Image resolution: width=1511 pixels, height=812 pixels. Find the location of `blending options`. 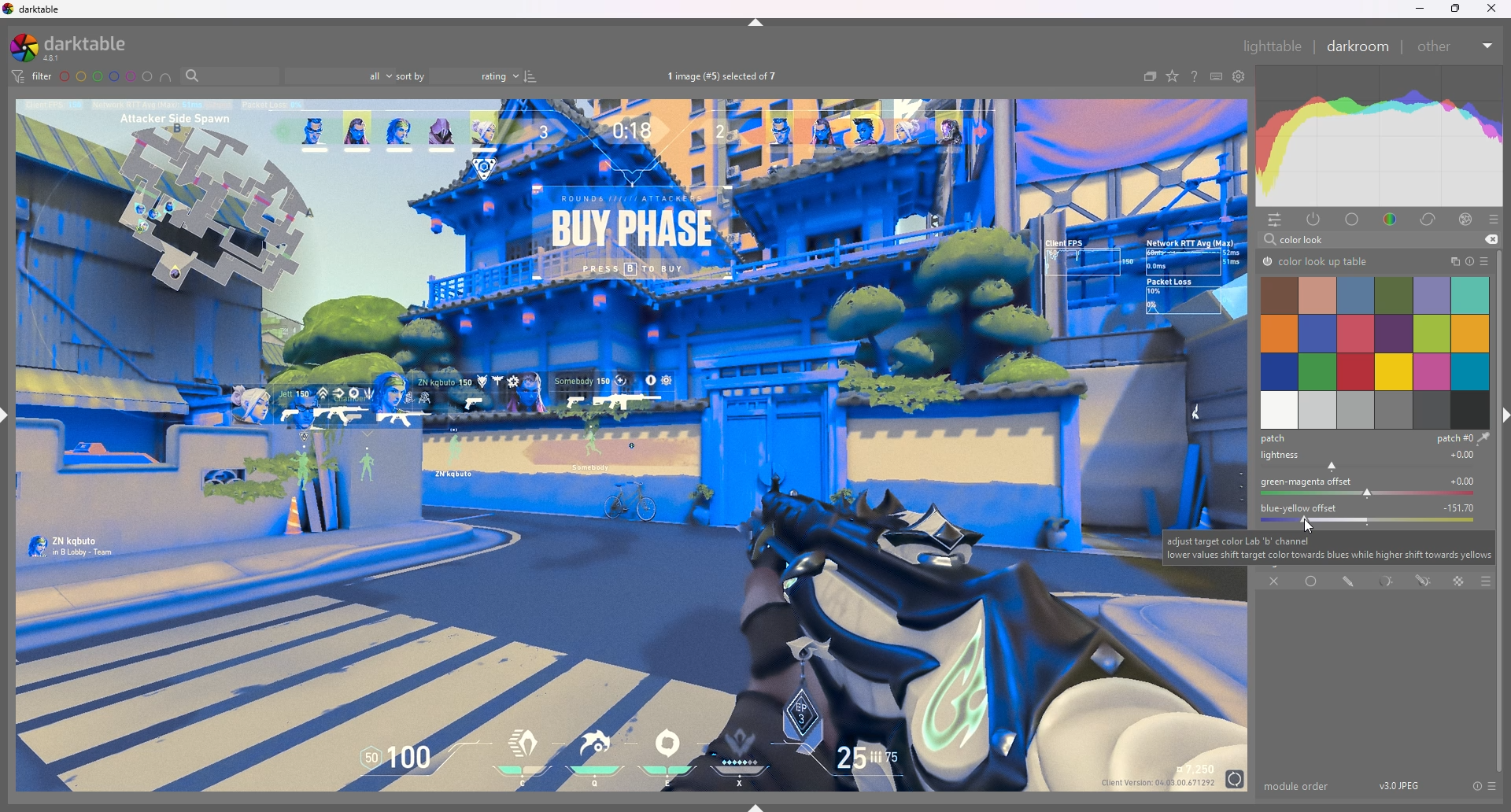

blending options is located at coordinates (1486, 582).